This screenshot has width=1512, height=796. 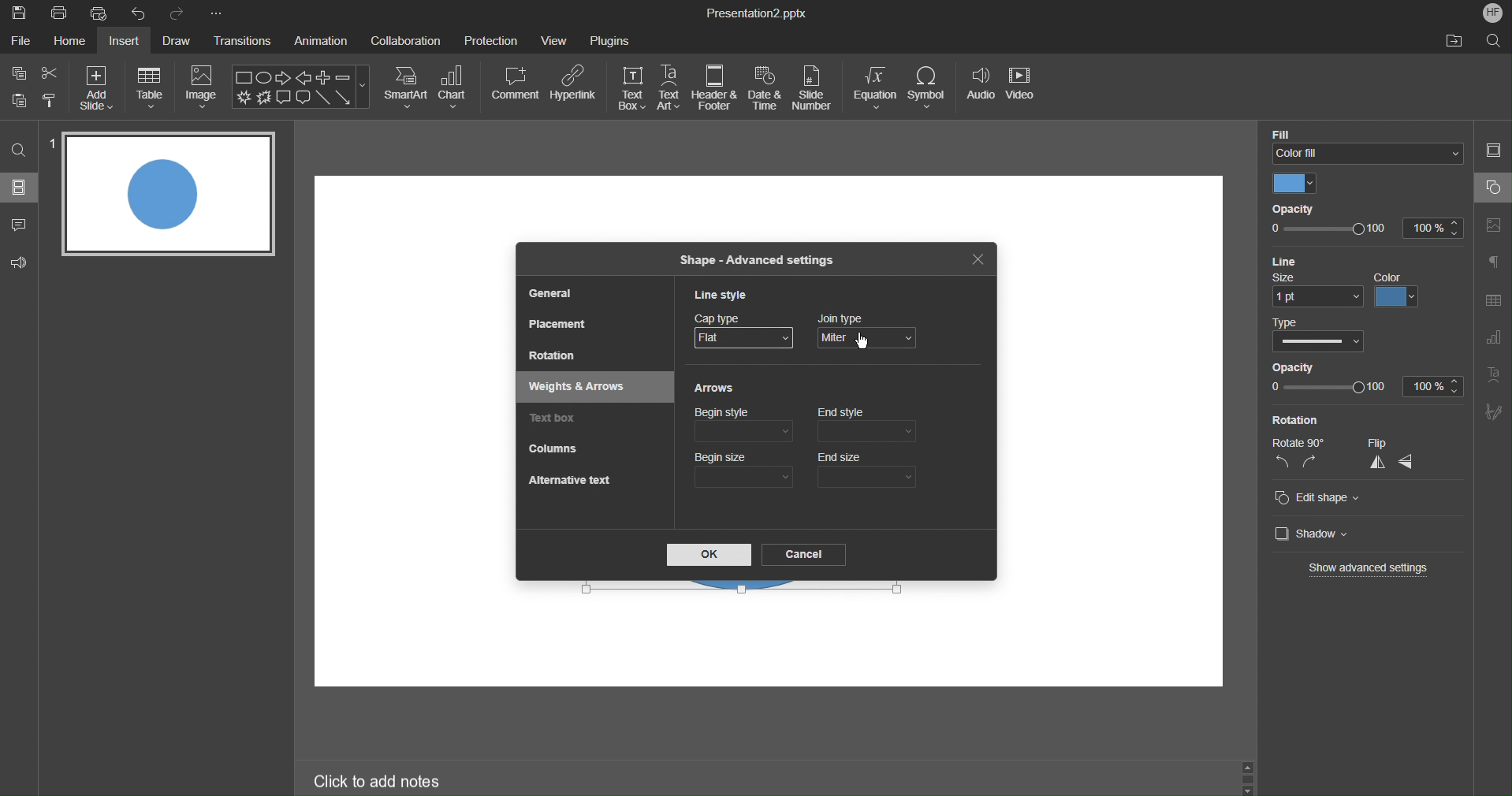 What do you see at coordinates (556, 419) in the screenshot?
I see `Text box` at bounding box center [556, 419].